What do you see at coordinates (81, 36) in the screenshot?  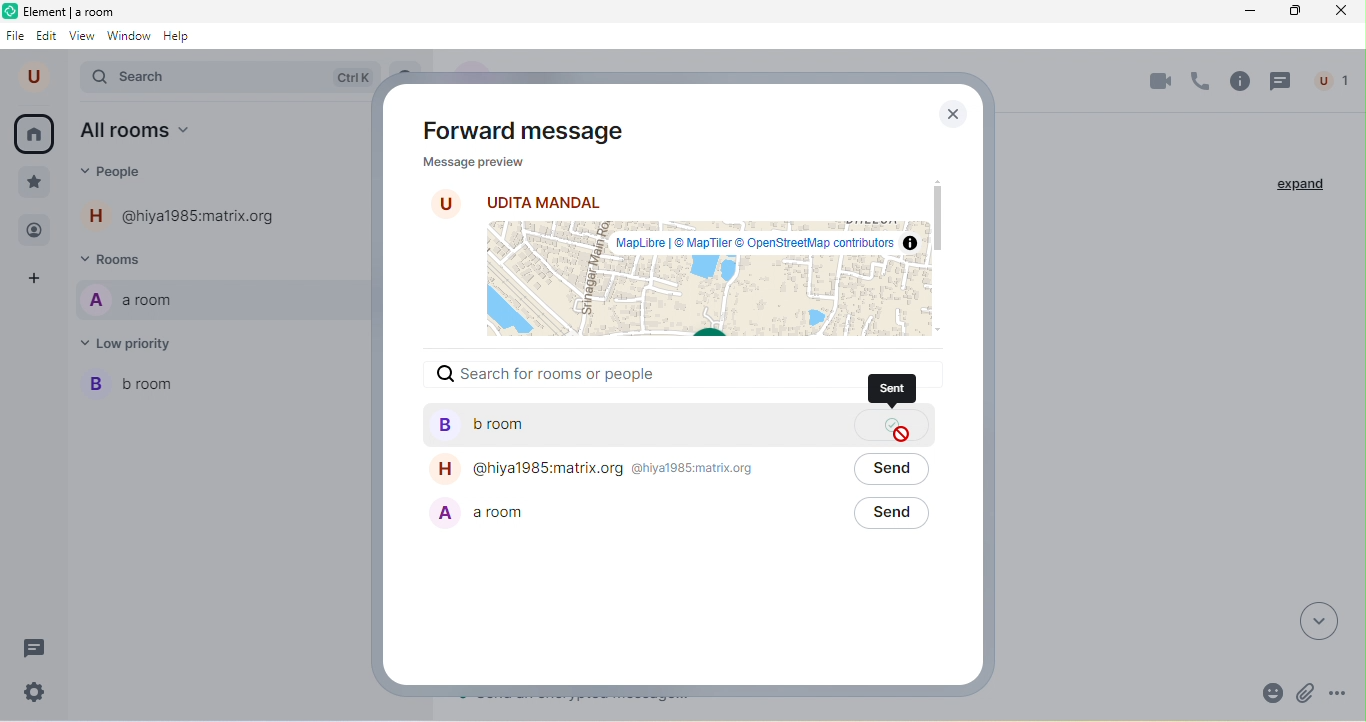 I see `view` at bounding box center [81, 36].